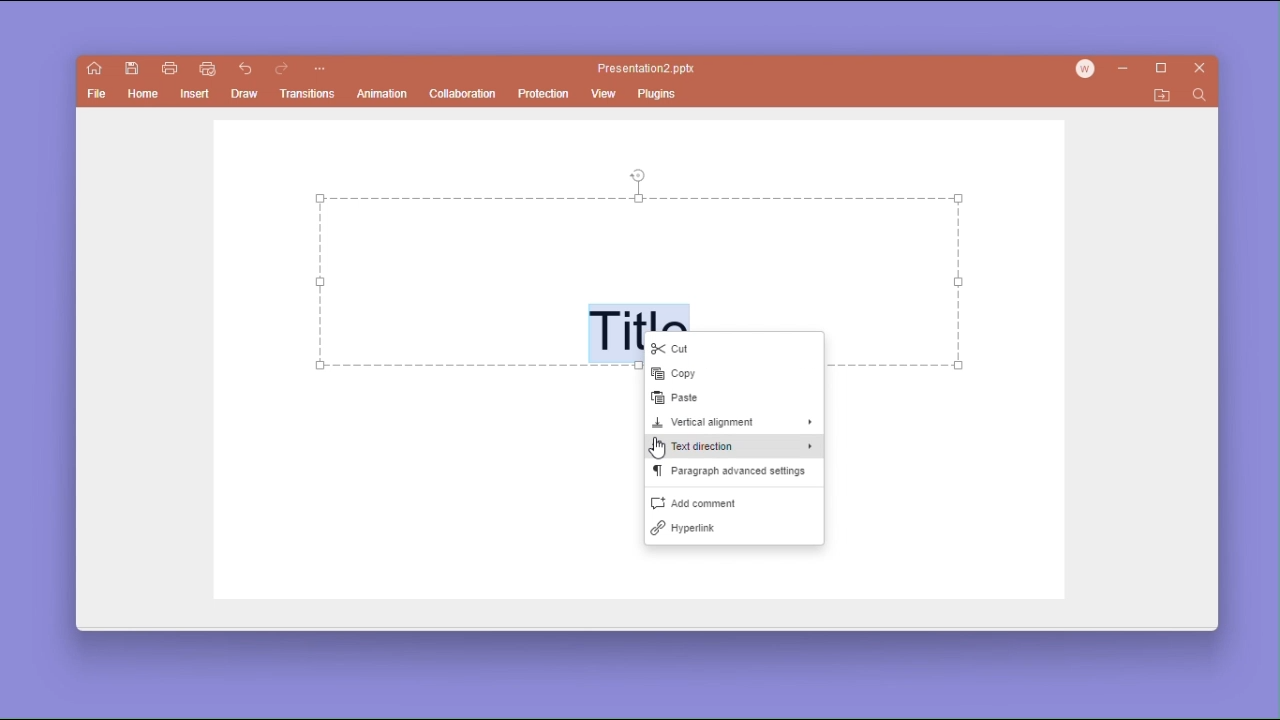 This screenshot has height=720, width=1280. I want to click on vertical alignment, so click(733, 424).